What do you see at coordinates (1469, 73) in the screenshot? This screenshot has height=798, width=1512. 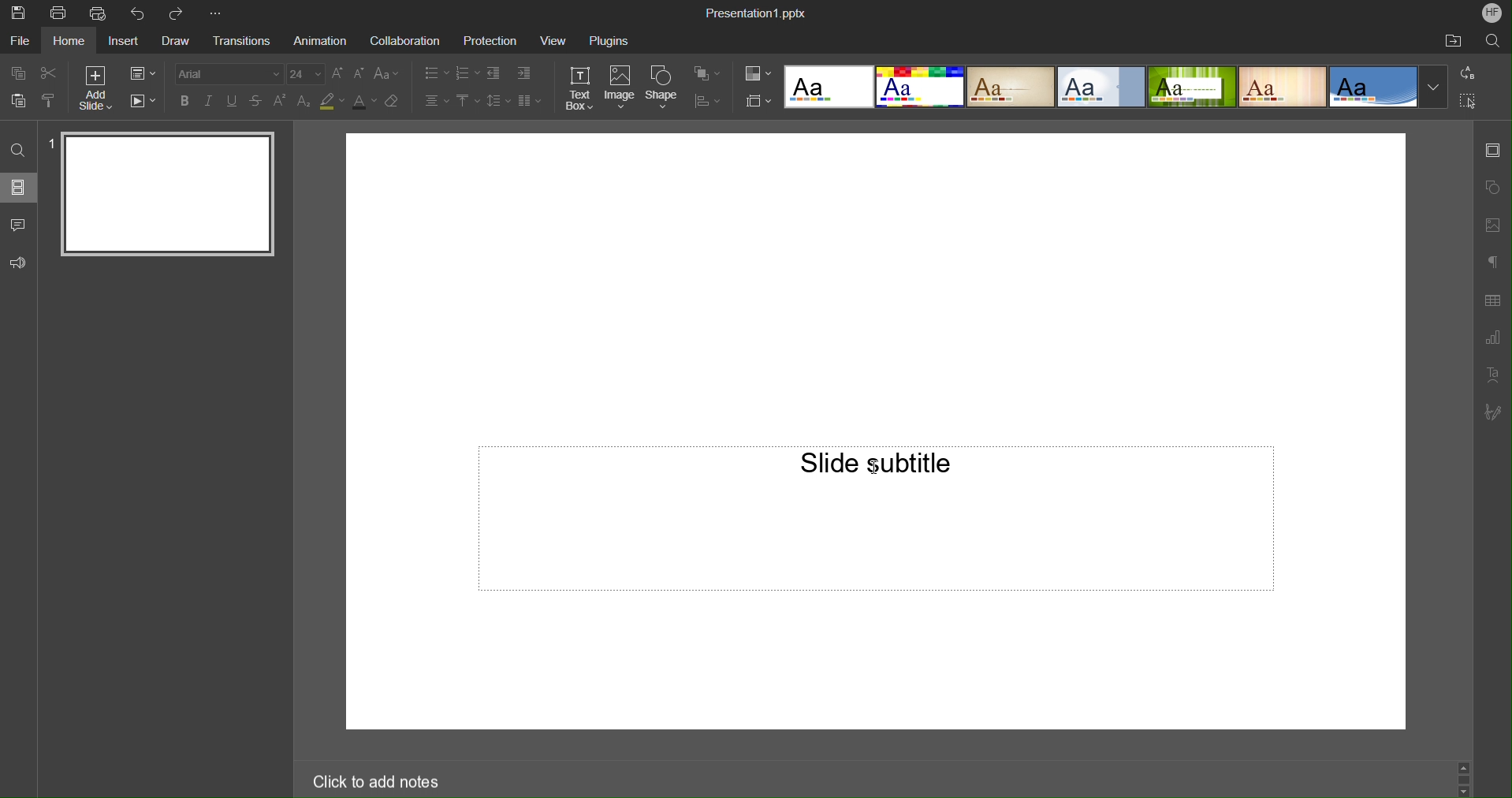 I see `Replace` at bounding box center [1469, 73].